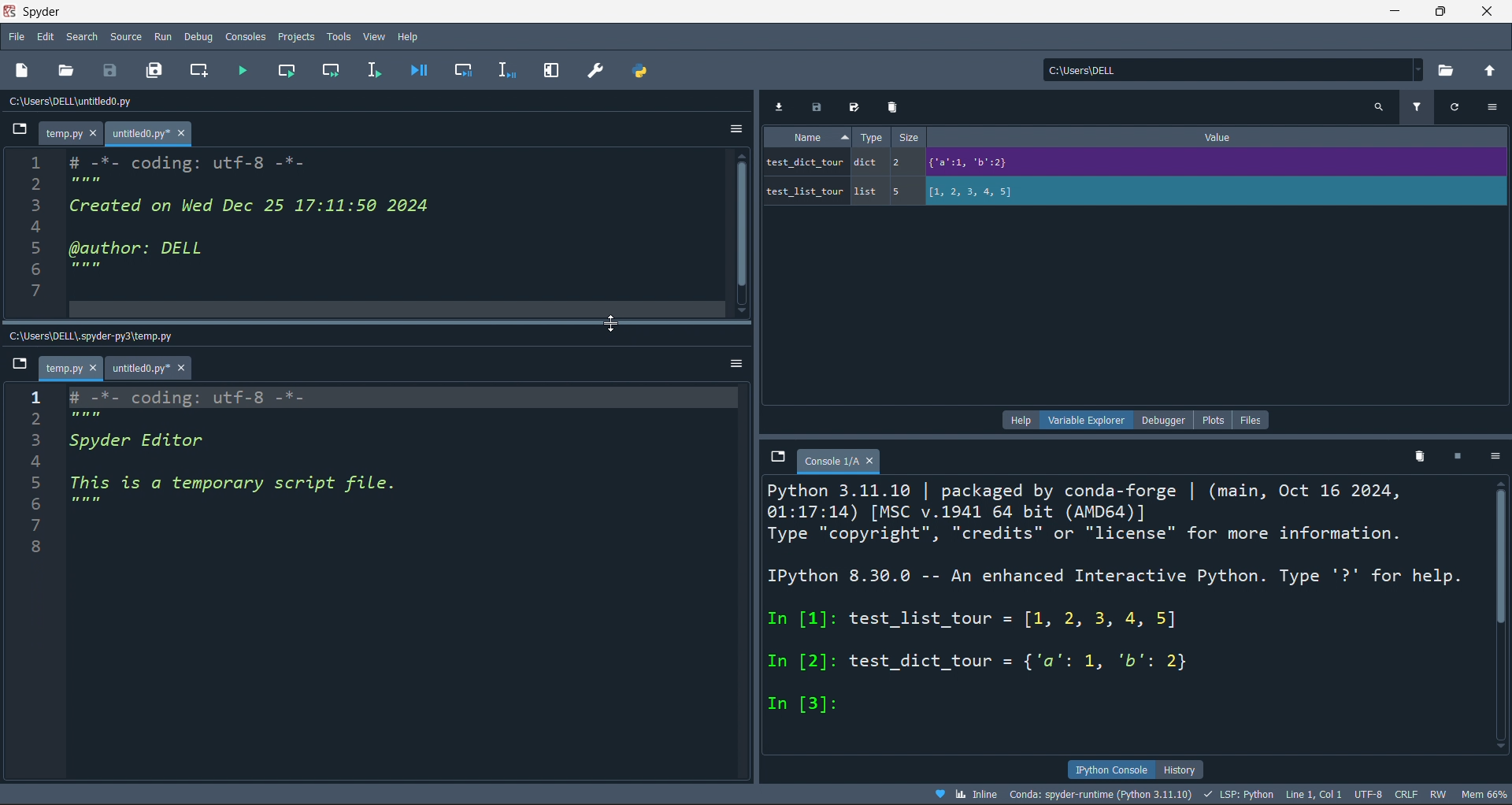 This screenshot has width=1512, height=805. What do you see at coordinates (74, 134) in the screenshot?
I see `temp.py` at bounding box center [74, 134].